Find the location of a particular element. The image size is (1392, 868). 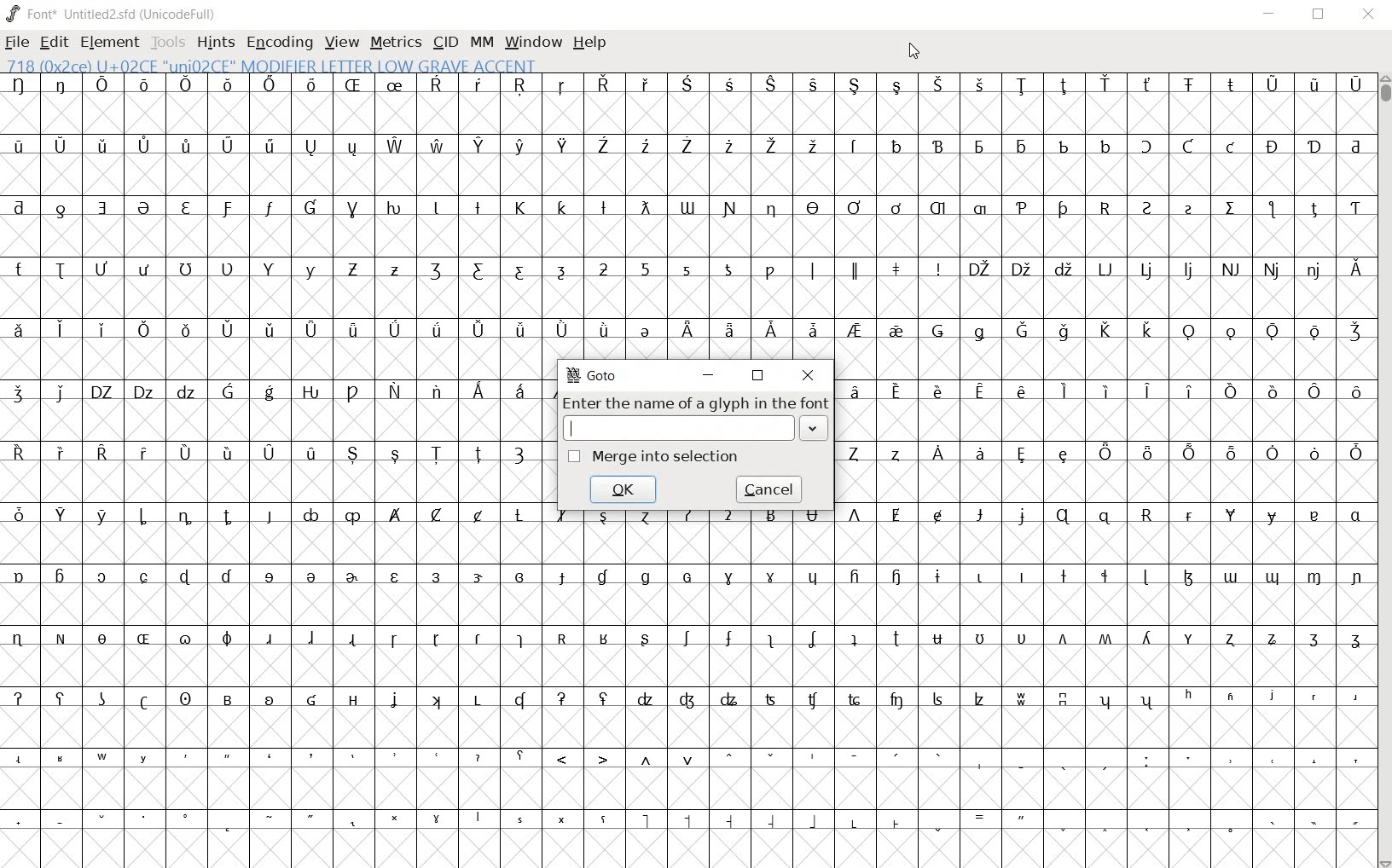

glyph characters is located at coordinates (960, 216).